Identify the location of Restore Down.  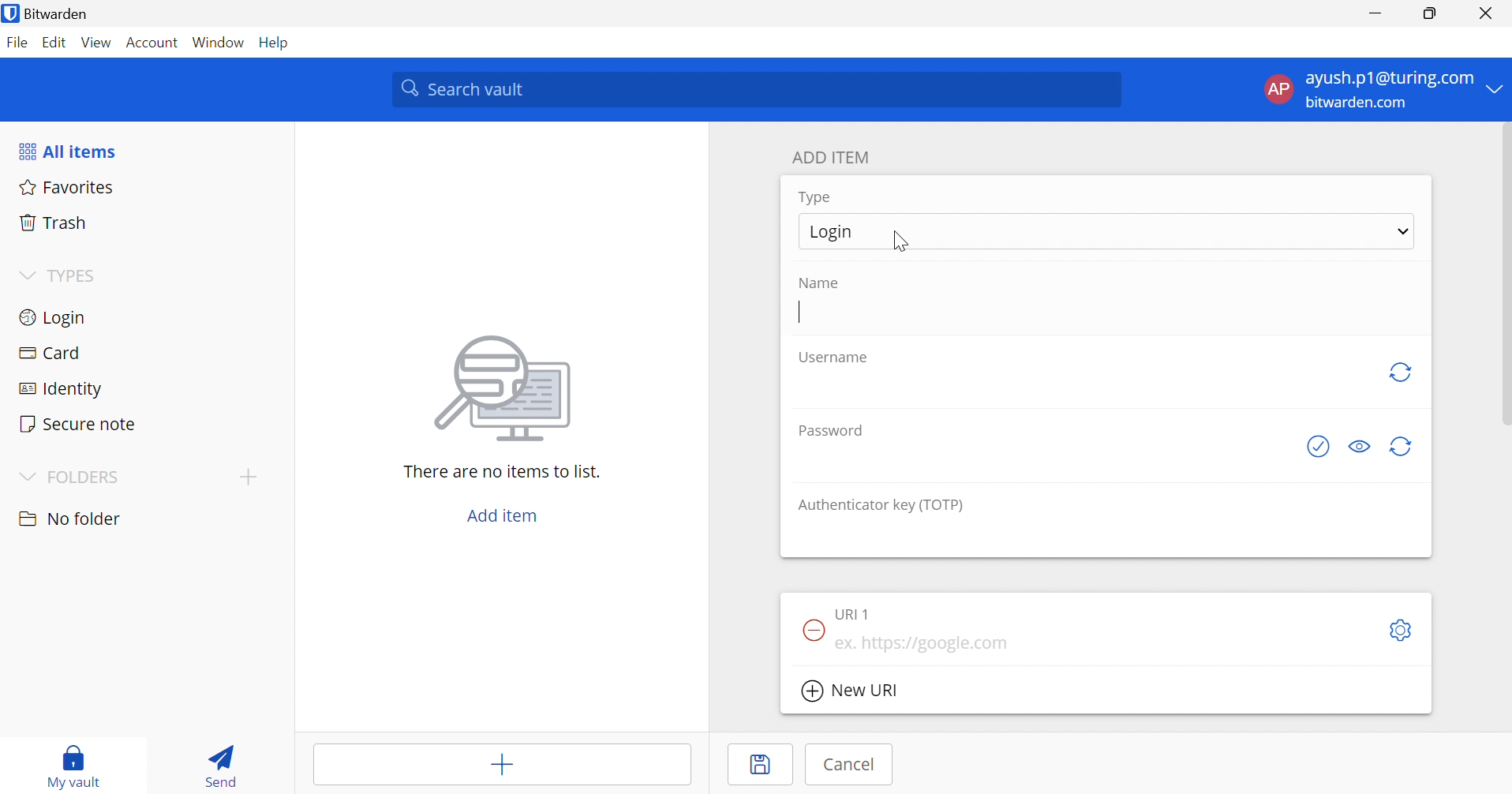
(1428, 15).